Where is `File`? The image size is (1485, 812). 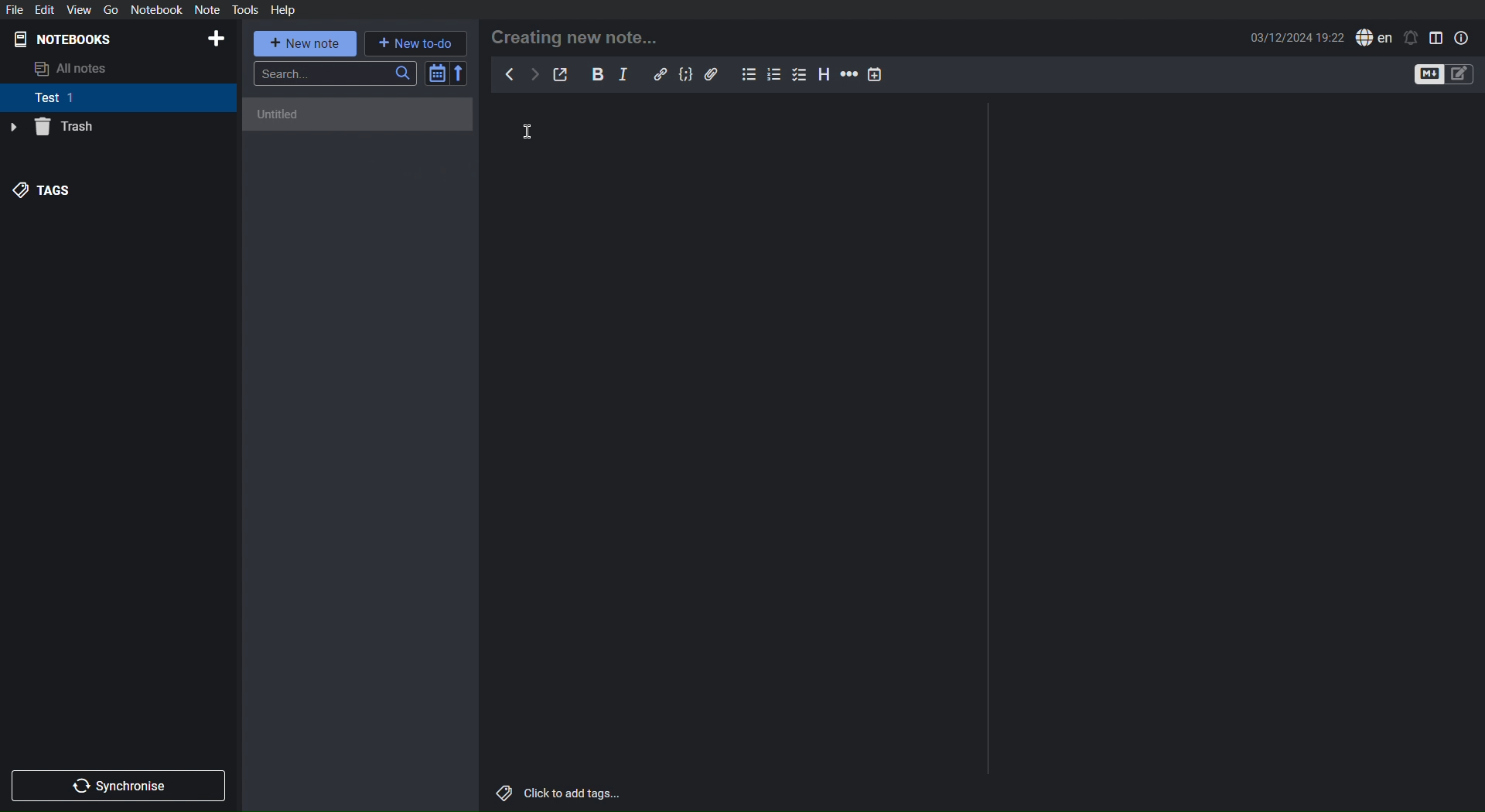 File is located at coordinates (12, 10).